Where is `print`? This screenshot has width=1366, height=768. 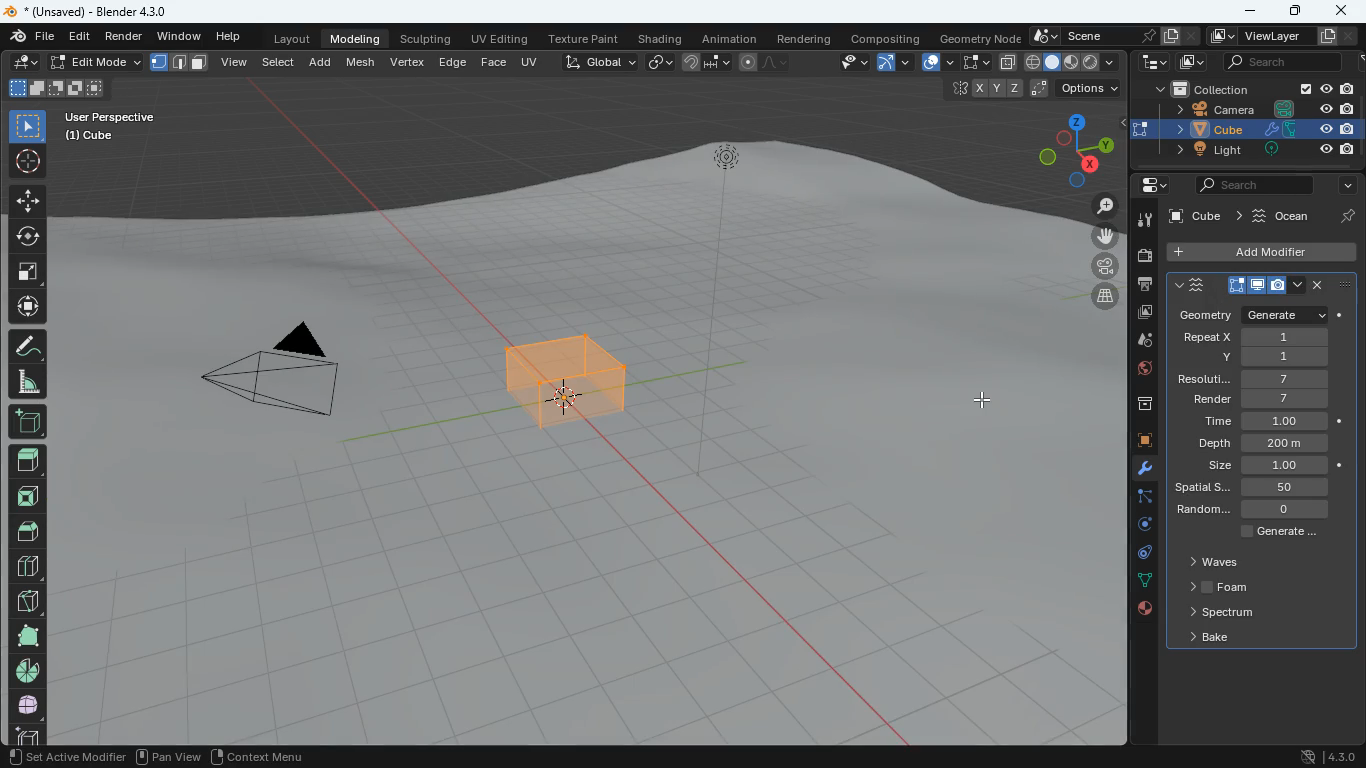 print is located at coordinates (1140, 286).